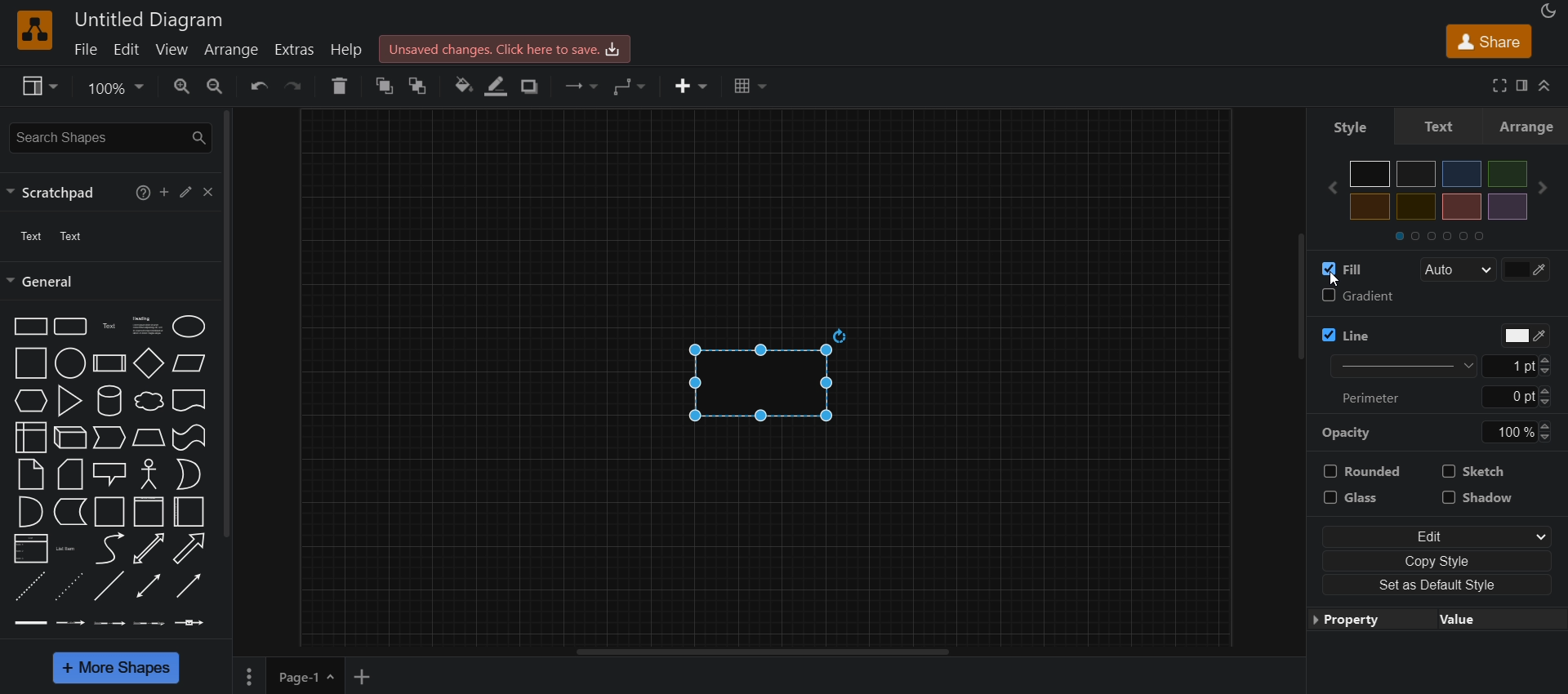 Image resolution: width=1568 pixels, height=694 pixels. What do you see at coordinates (1508, 174) in the screenshot?
I see `green` at bounding box center [1508, 174].